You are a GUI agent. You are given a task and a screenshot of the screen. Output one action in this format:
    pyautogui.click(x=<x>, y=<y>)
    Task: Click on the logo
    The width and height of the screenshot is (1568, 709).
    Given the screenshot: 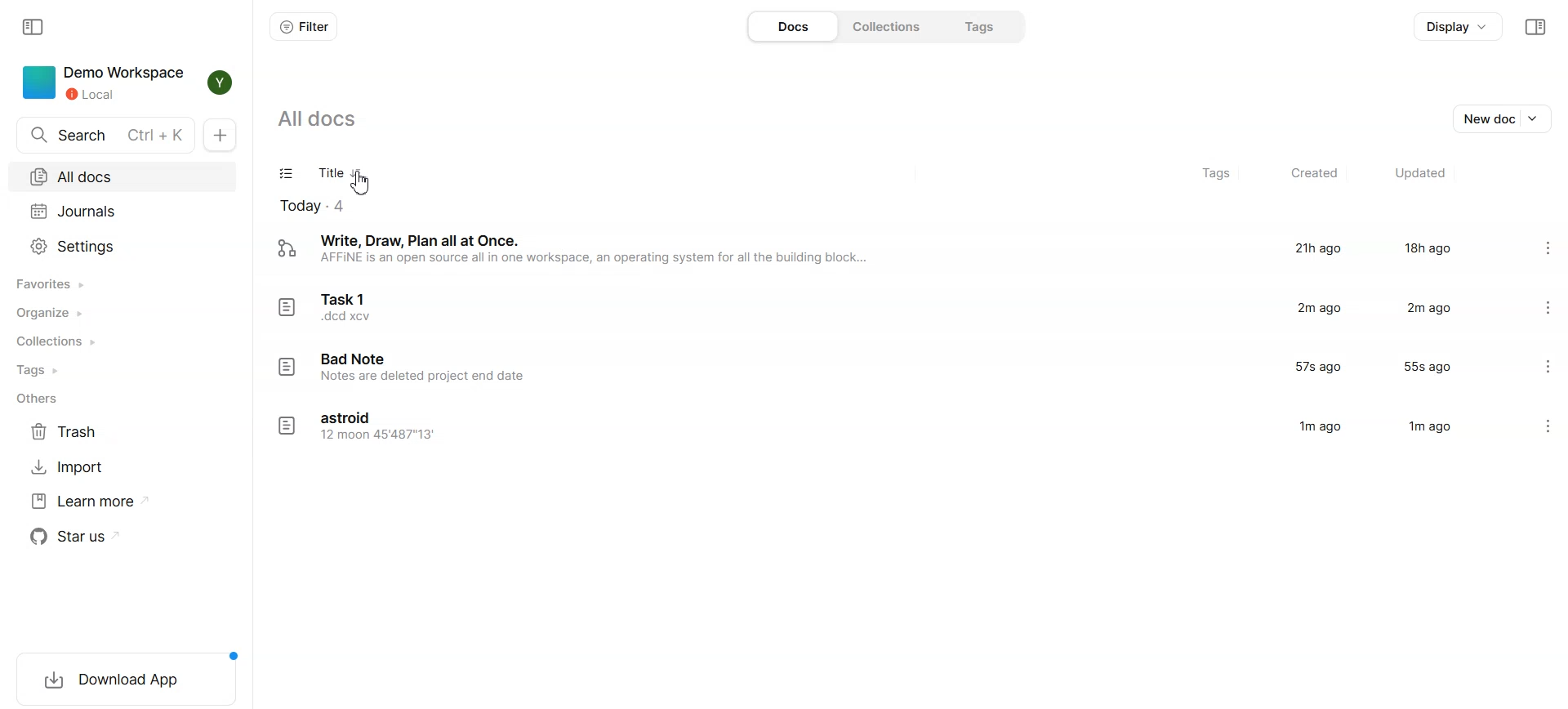 What is the action you would take?
    pyautogui.click(x=286, y=368)
    